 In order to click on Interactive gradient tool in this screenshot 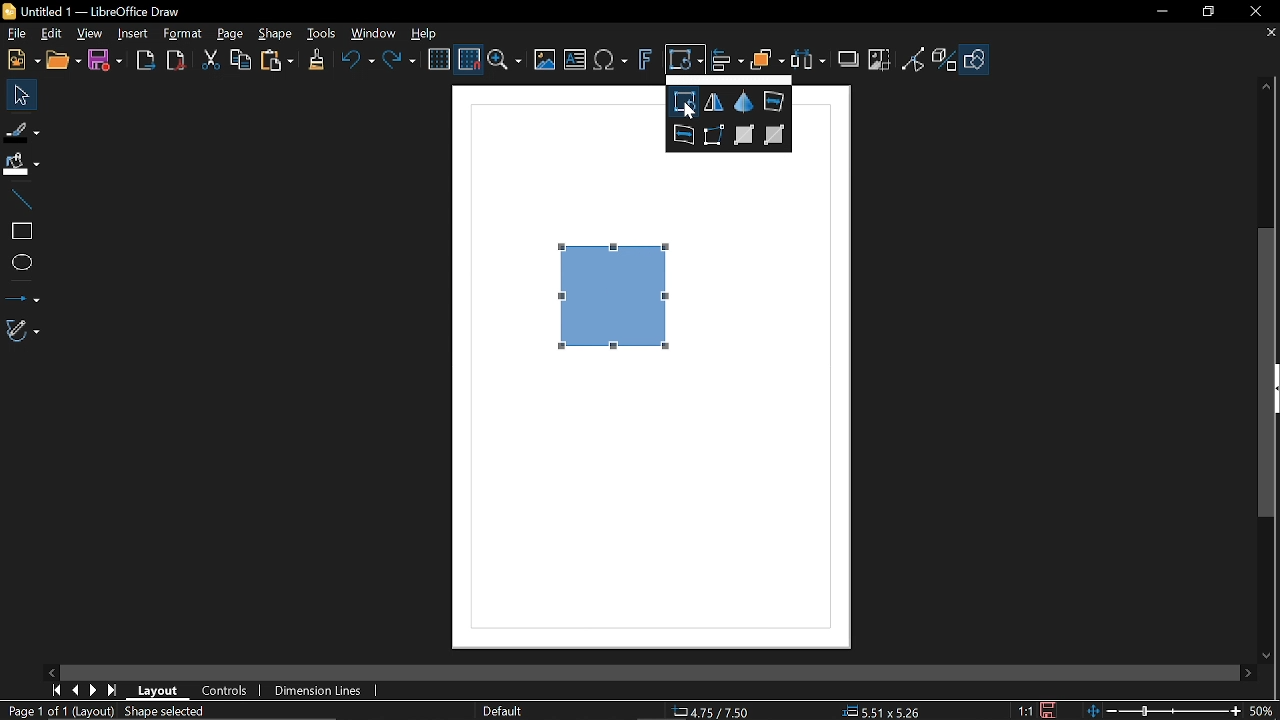, I will do `click(776, 136)`.